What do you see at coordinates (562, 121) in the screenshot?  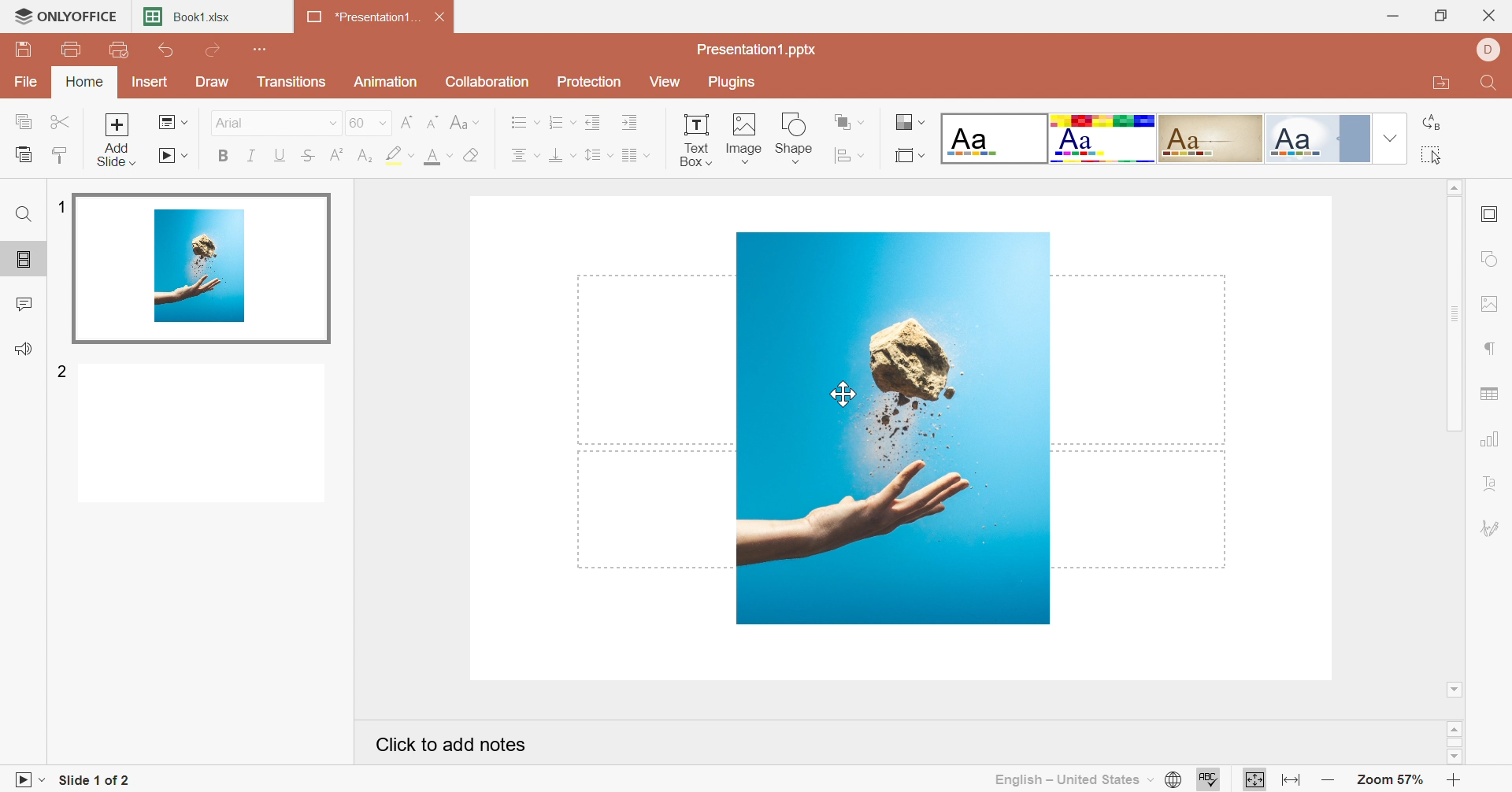 I see `Numbering` at bounding box center [562, 121].